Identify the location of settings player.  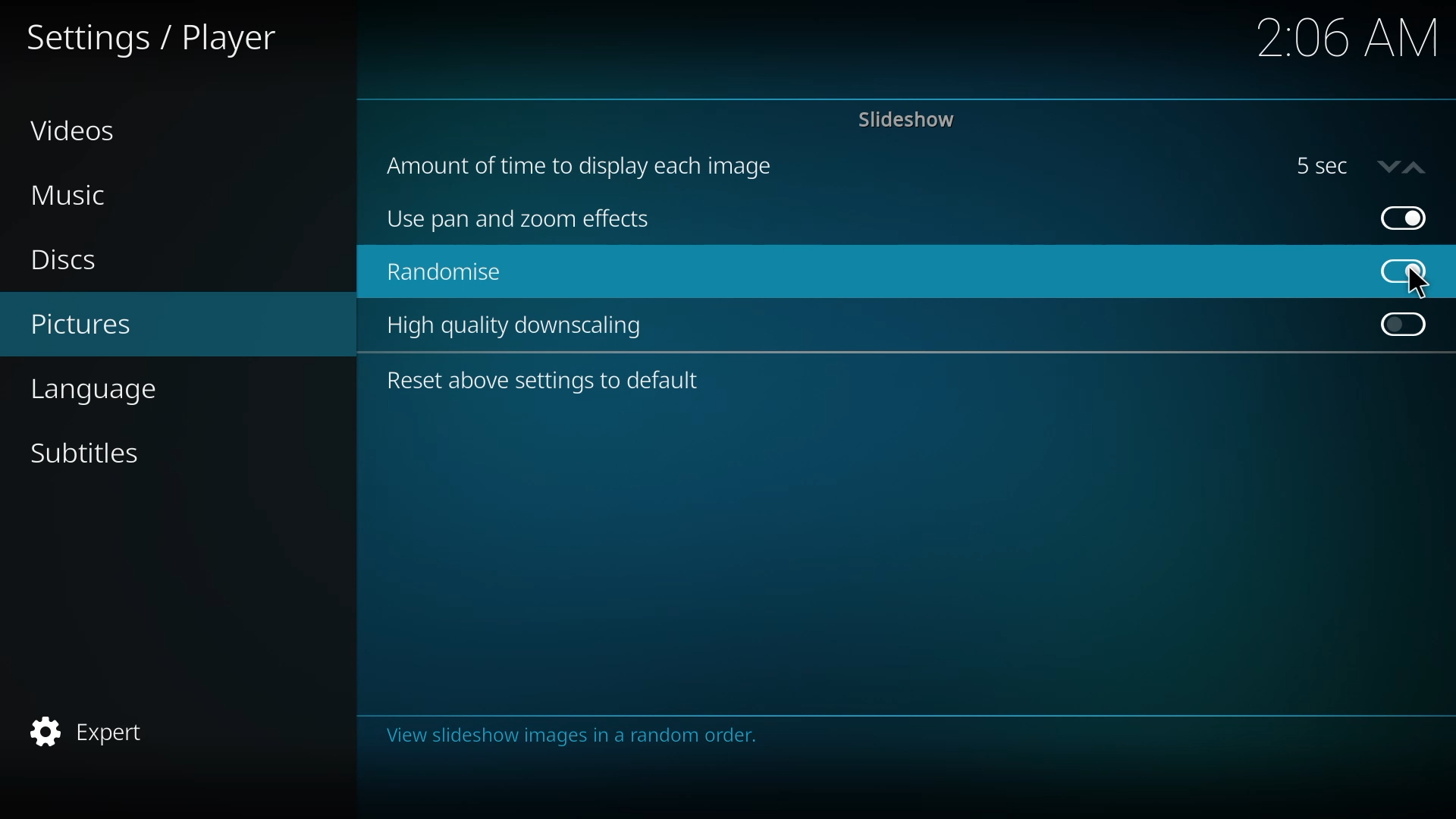
(157, 39).